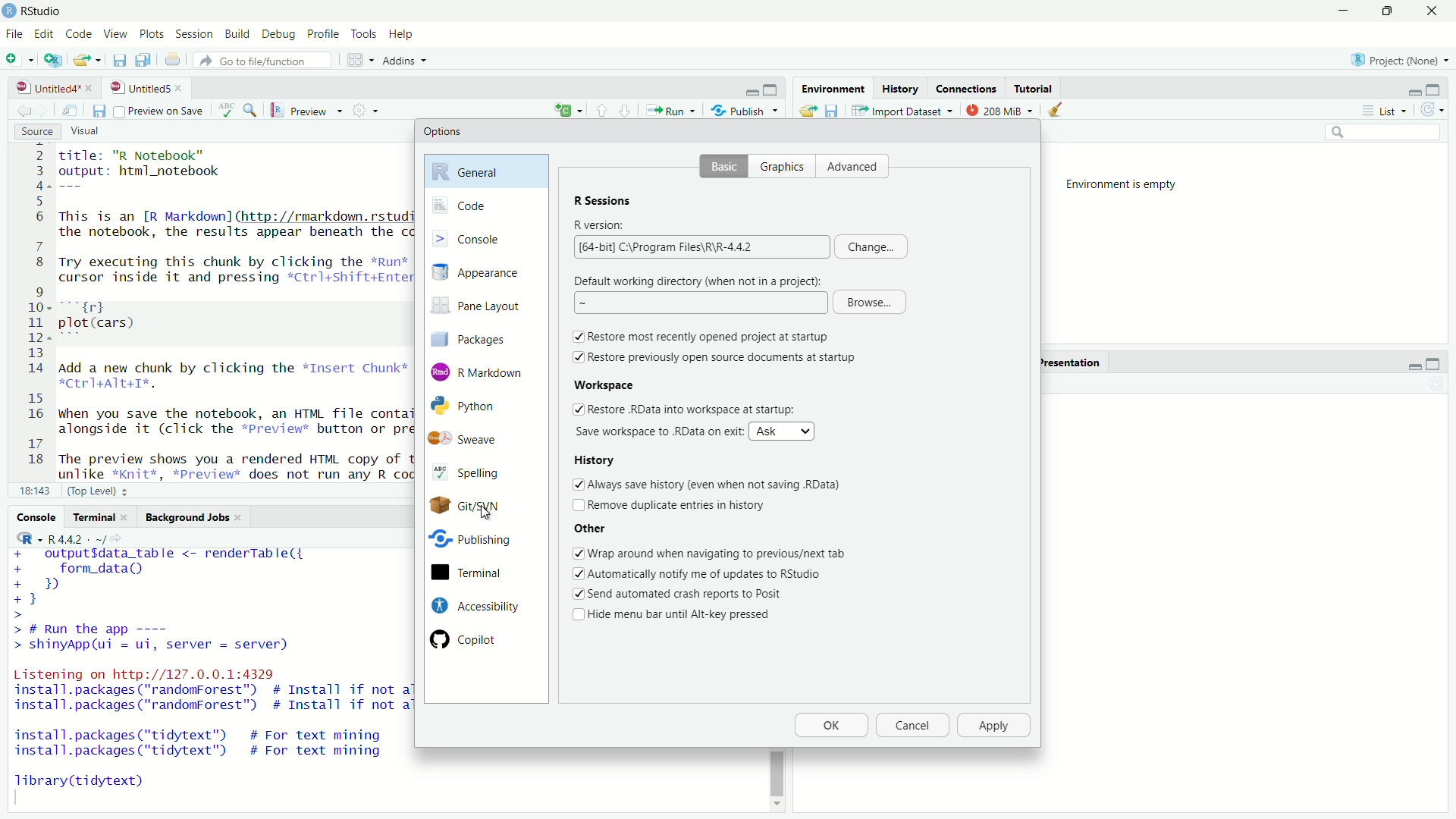 This screenshot has height=819, width=1456. I want to click on view current working directory, so click(120, 538).